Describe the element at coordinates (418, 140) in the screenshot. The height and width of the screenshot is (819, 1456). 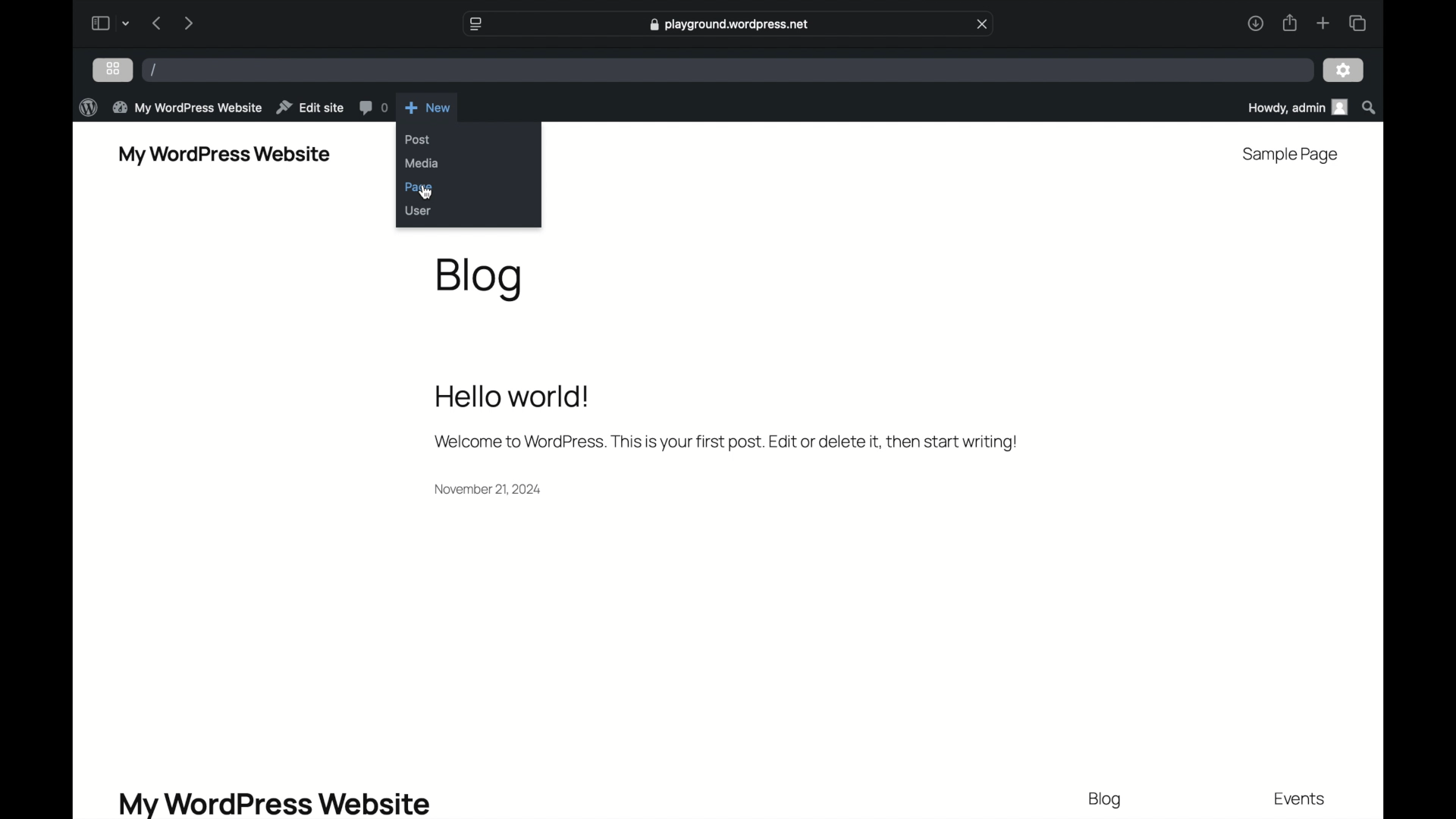
I see `post` at that location.